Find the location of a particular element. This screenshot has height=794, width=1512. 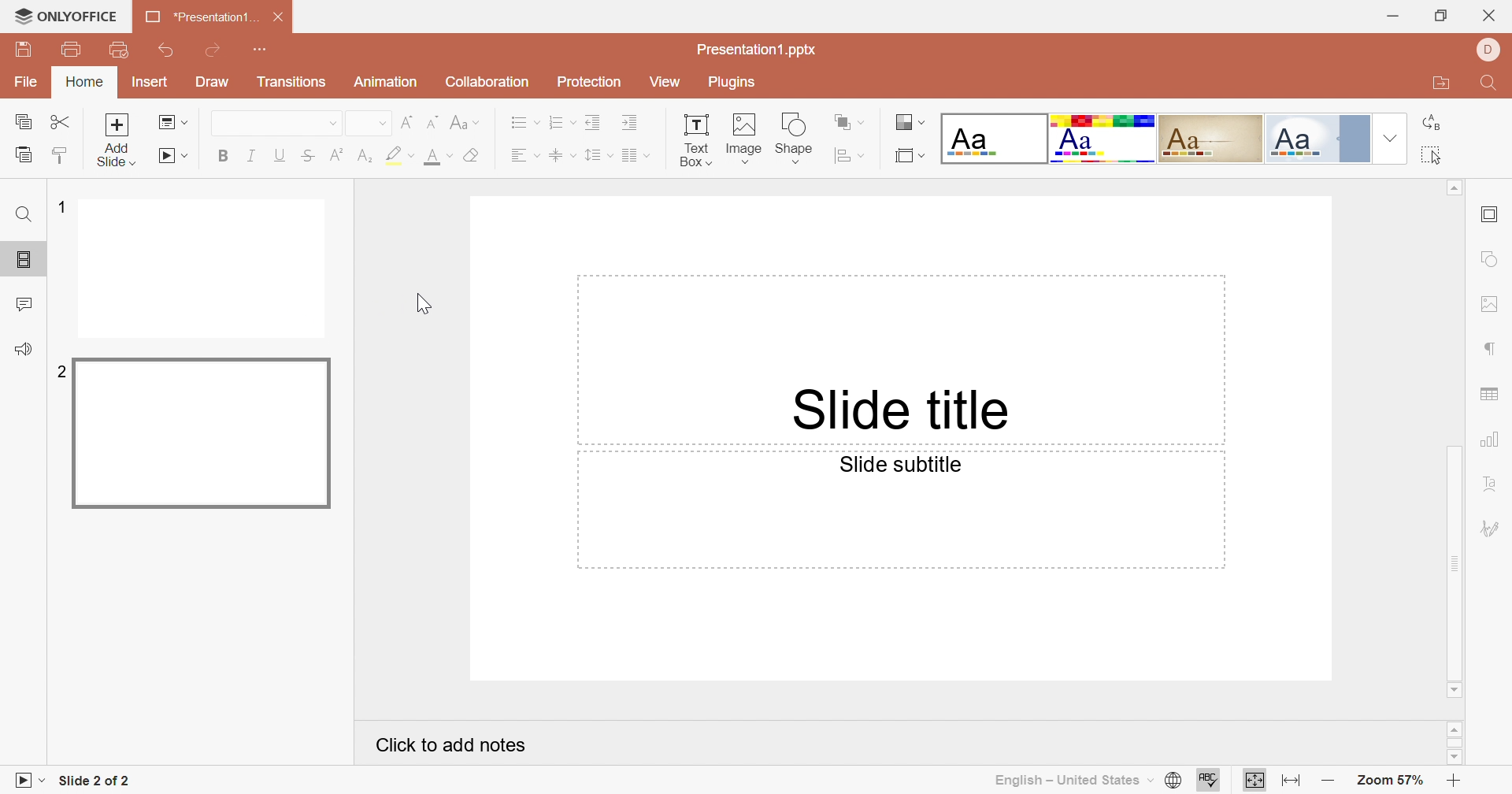

Home is located at coordinates (83, 82).